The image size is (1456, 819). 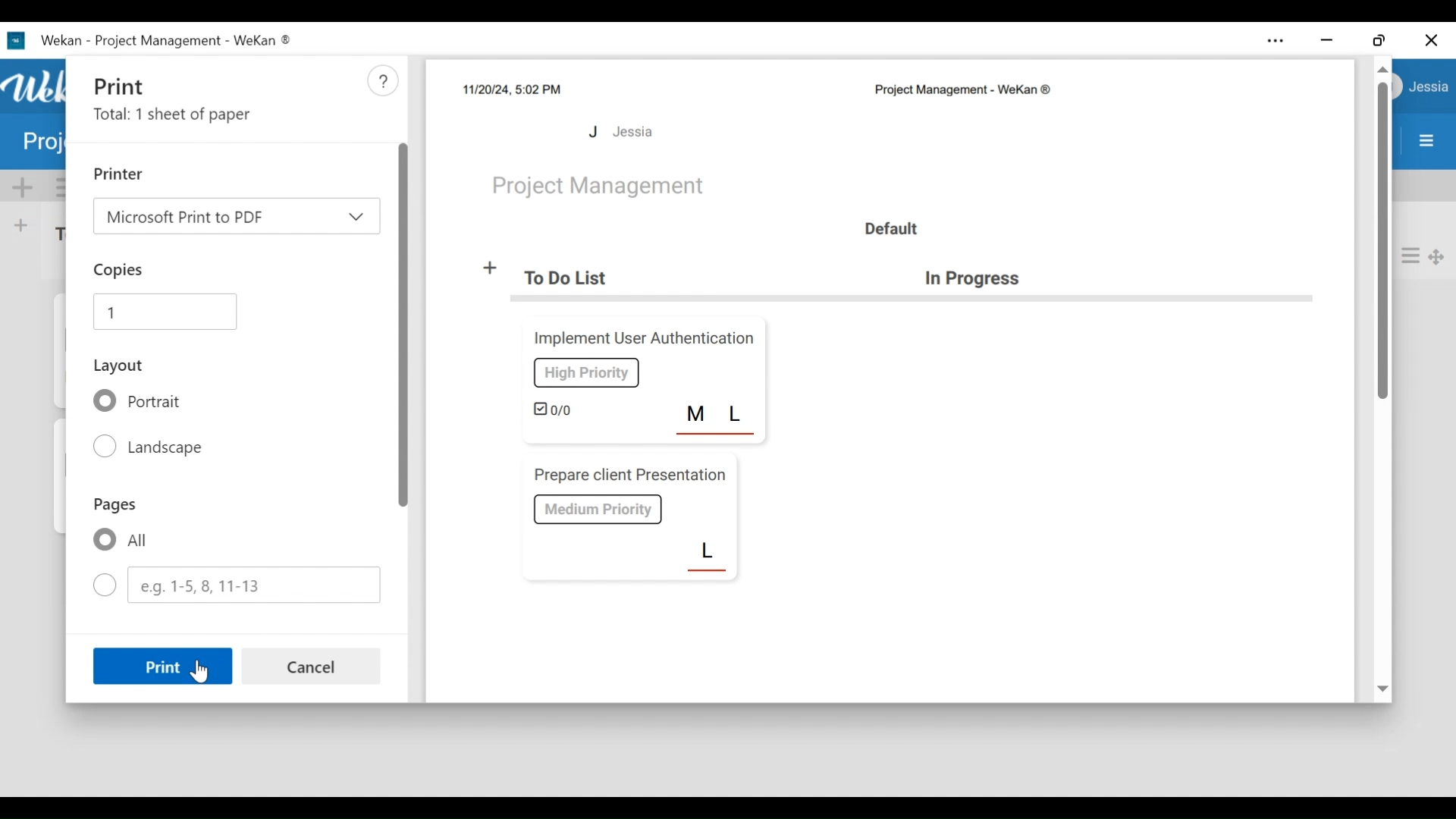 I want to click on copies, so click(x=121, y=271).